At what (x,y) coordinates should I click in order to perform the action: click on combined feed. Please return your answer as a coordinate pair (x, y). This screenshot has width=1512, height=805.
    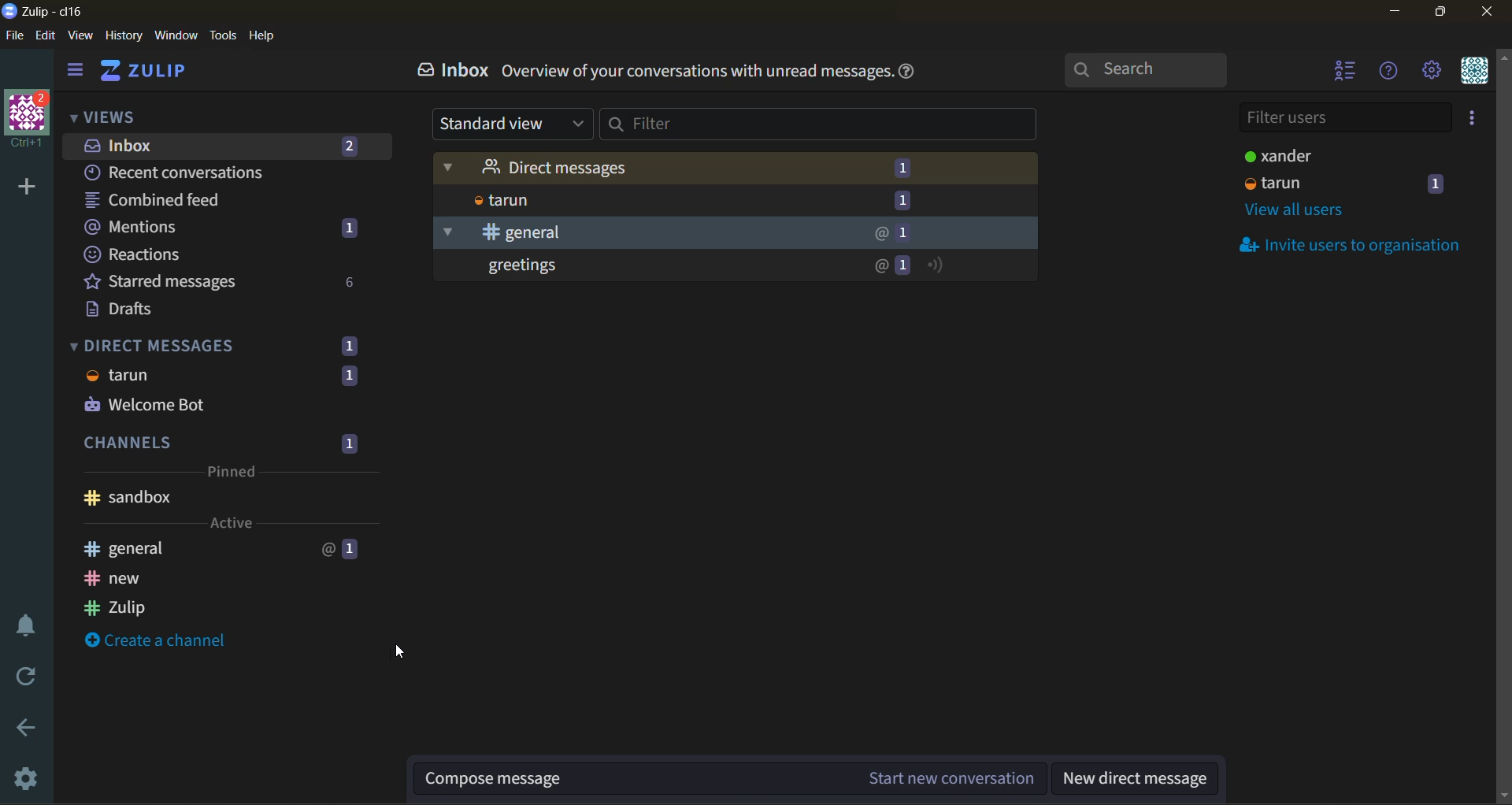
    Looking at the image, I should click on (183, 199).